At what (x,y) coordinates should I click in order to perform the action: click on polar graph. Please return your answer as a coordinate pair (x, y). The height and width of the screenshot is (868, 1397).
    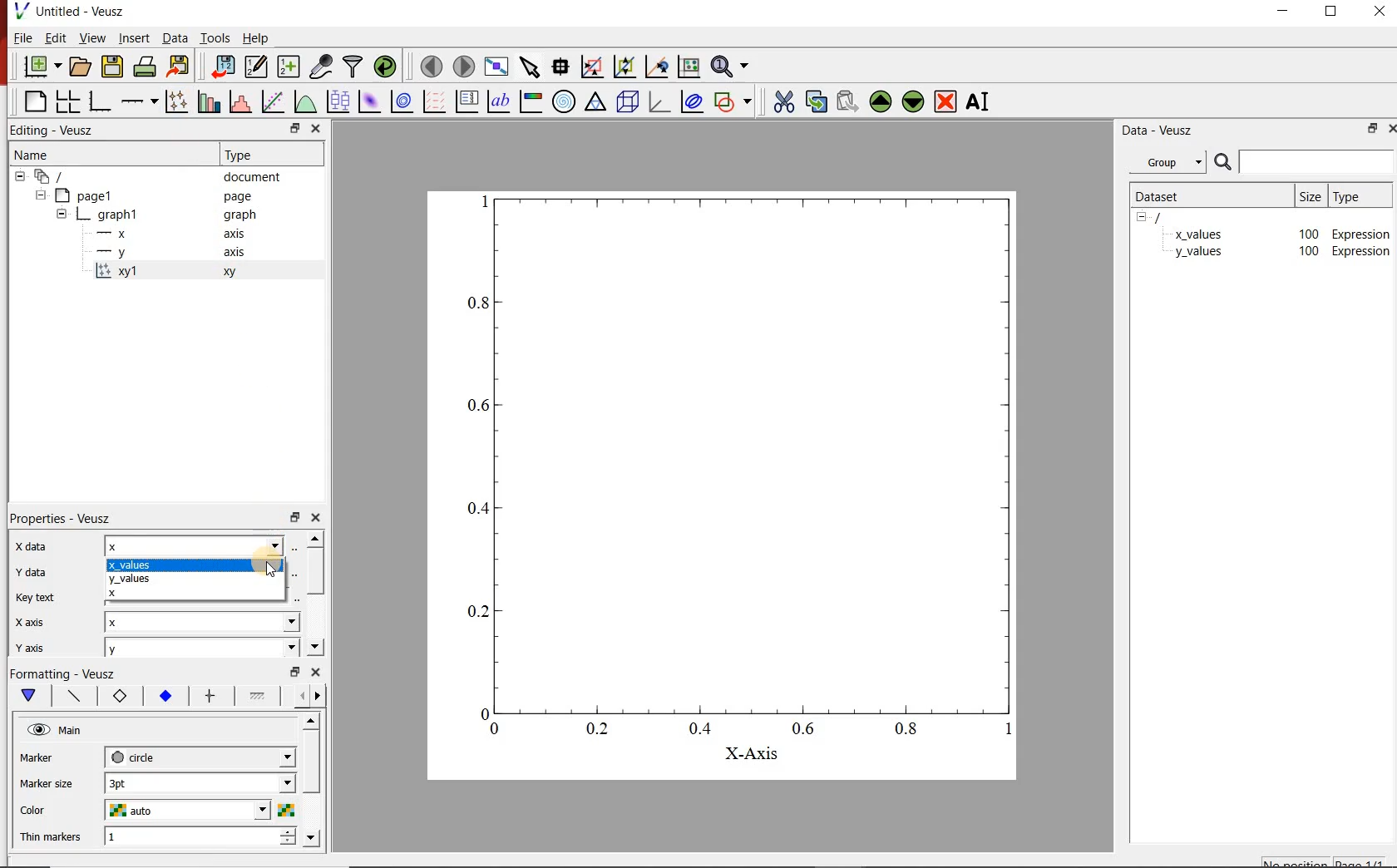
    Looking at the image, I should click on (565, 103).